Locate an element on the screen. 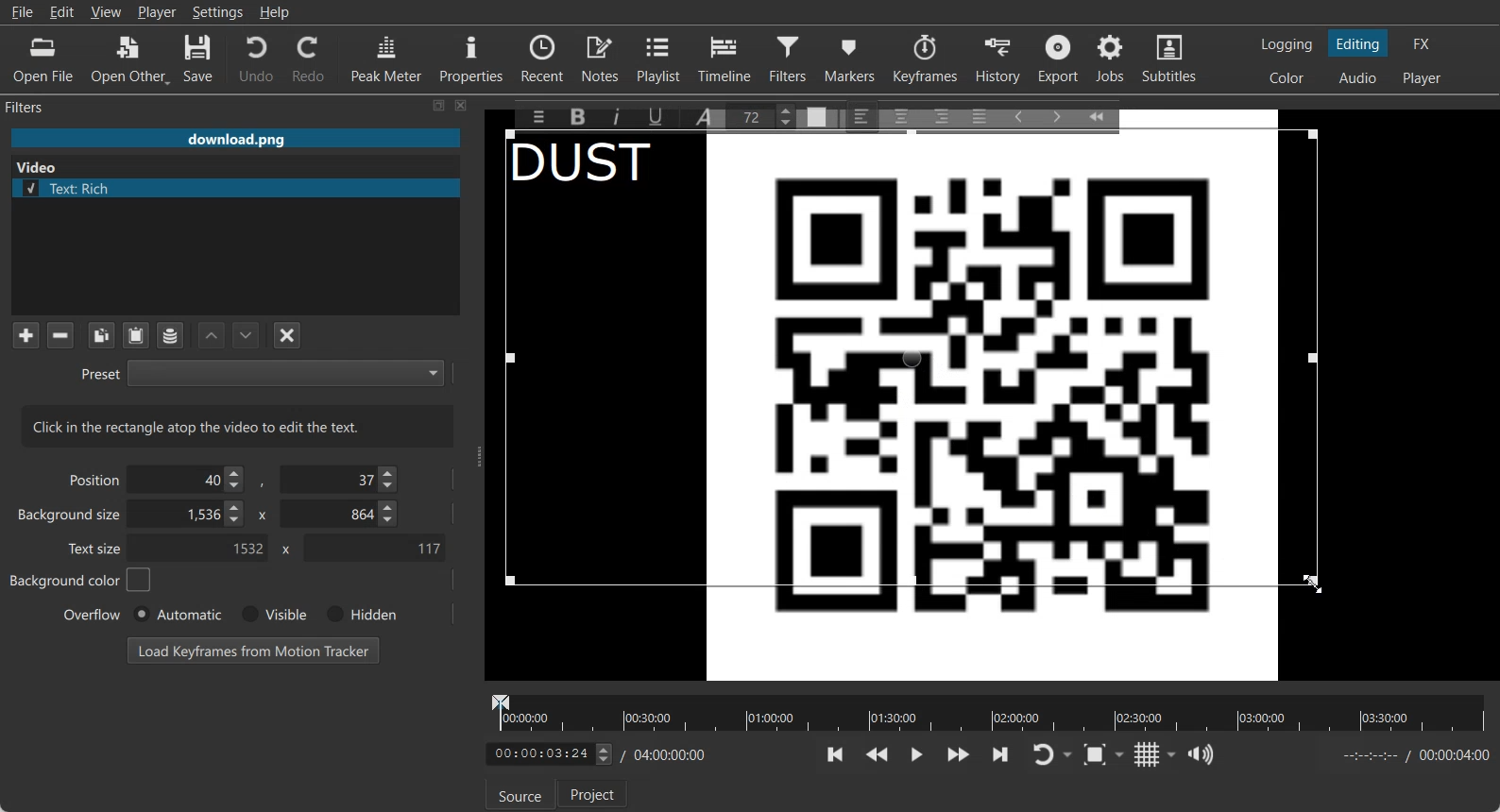 This screenshot has height=812, width=1500. Drop down box is located at coordinates (1123, 753).